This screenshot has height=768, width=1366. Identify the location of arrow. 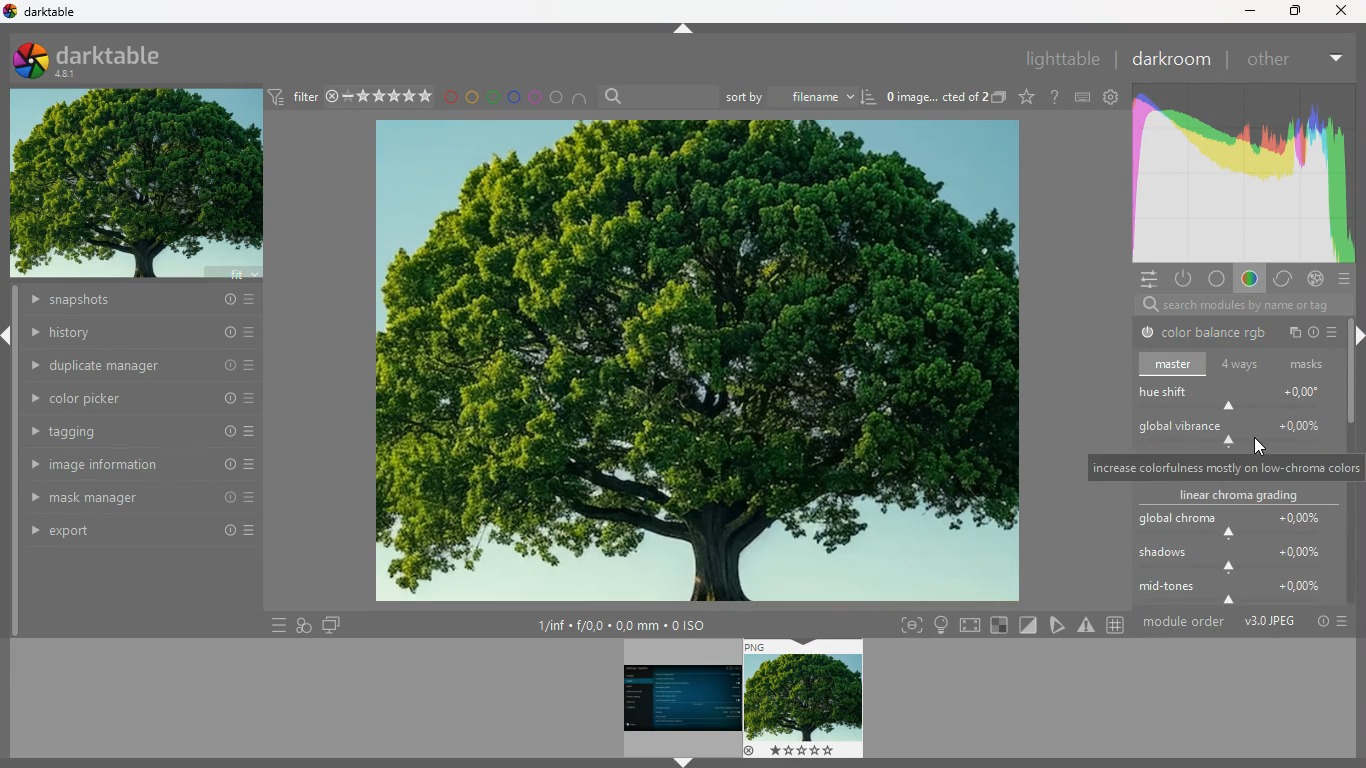
(684, 28).